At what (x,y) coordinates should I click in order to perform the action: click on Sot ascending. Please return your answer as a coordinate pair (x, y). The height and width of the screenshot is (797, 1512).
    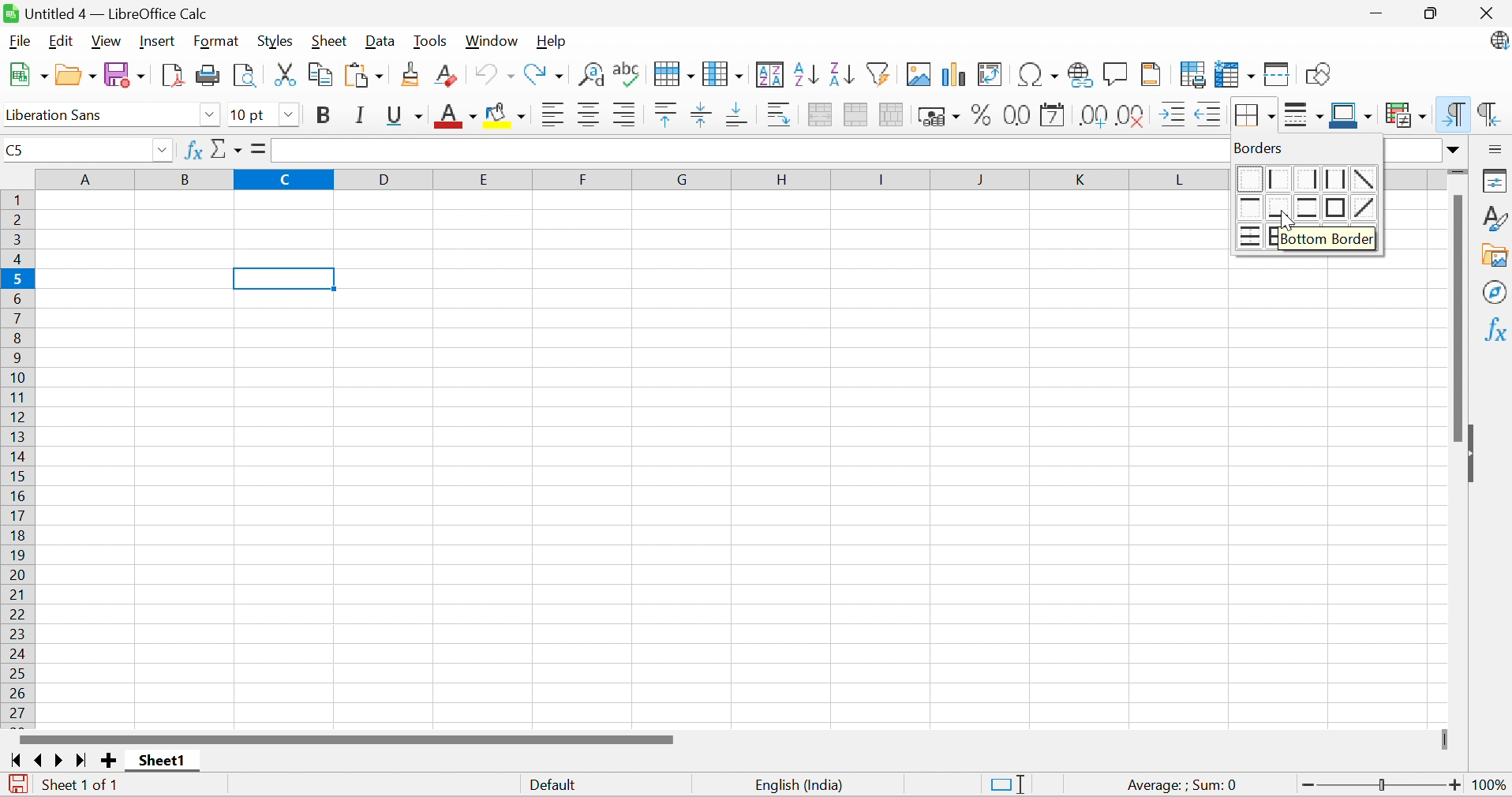
    Looking at the image, I should click on (807, 73).